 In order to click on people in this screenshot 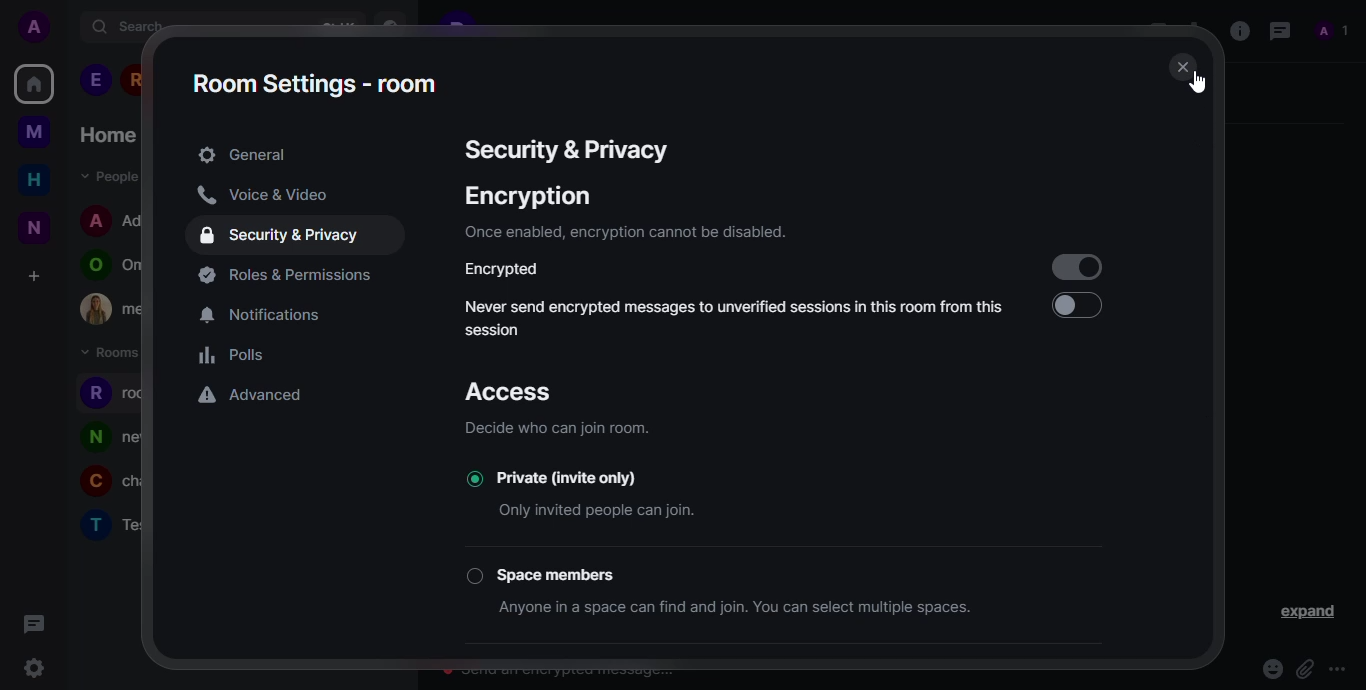, I will do `click(1335, 32)`.